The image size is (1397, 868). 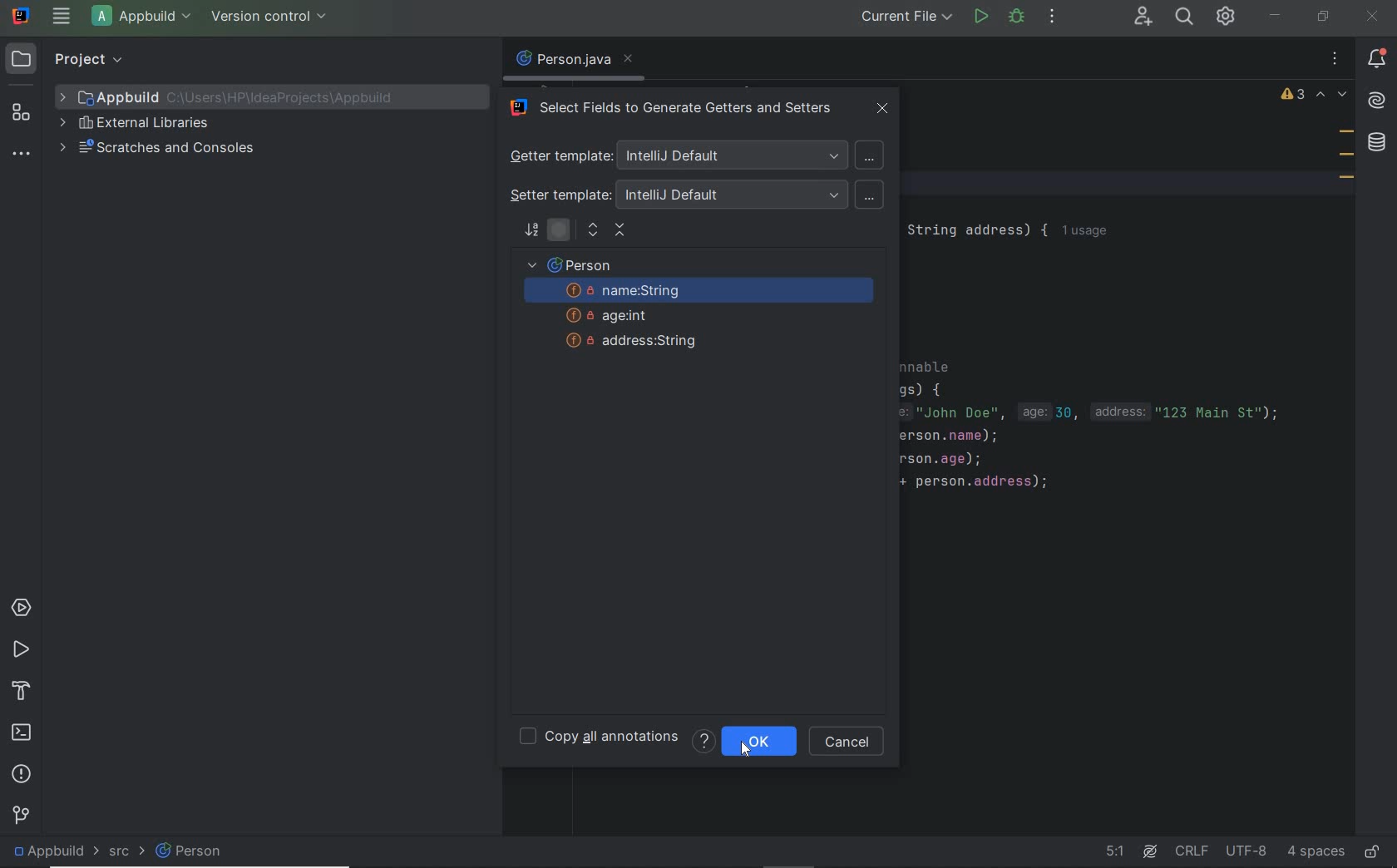 What do you see at coordinates (1377, 102) in the screenshot?
I see `AI Assistant` at bounding box center [1377, 102].